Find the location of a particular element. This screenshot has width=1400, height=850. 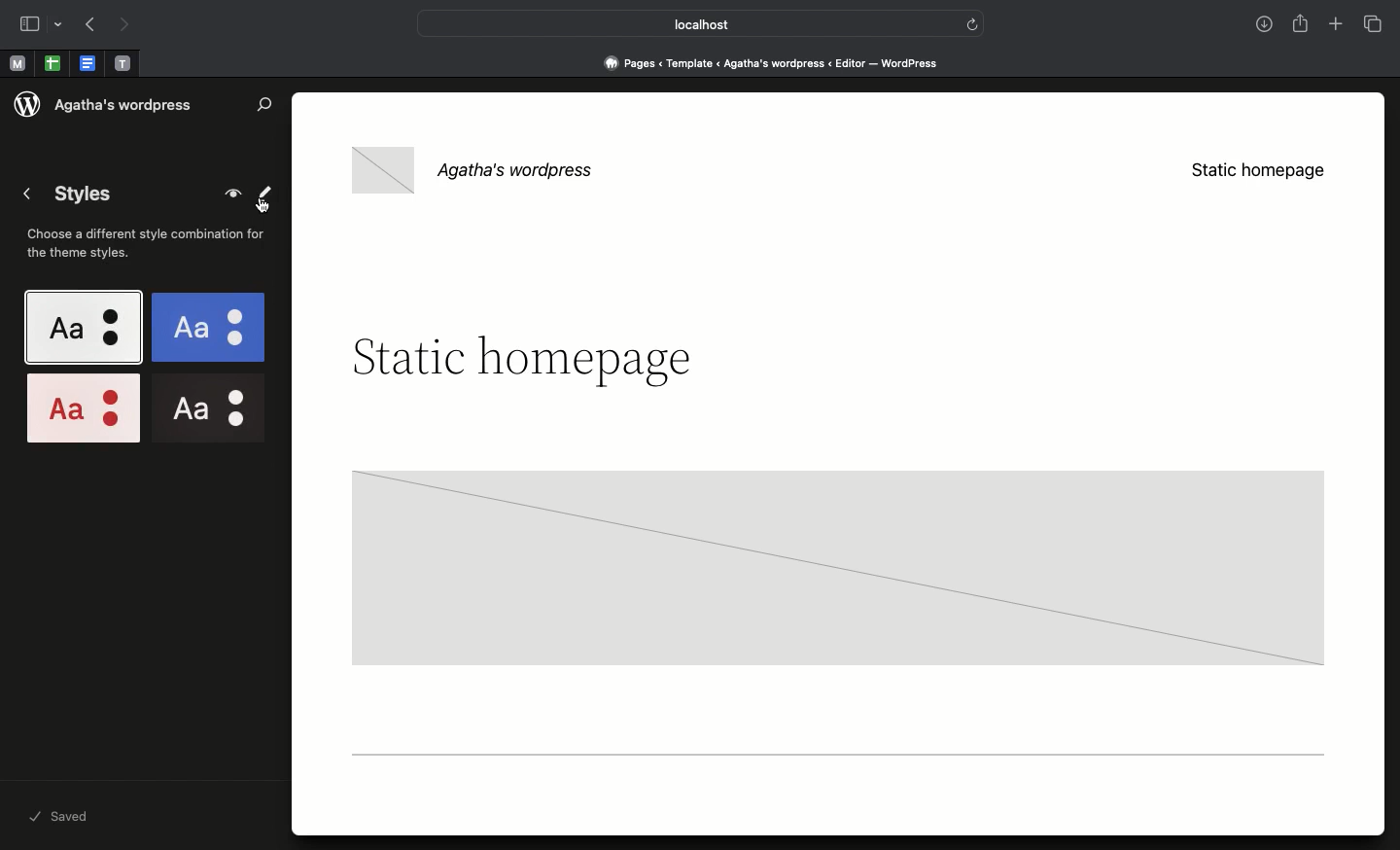

Downloads is located at coordinates (1266, 26).